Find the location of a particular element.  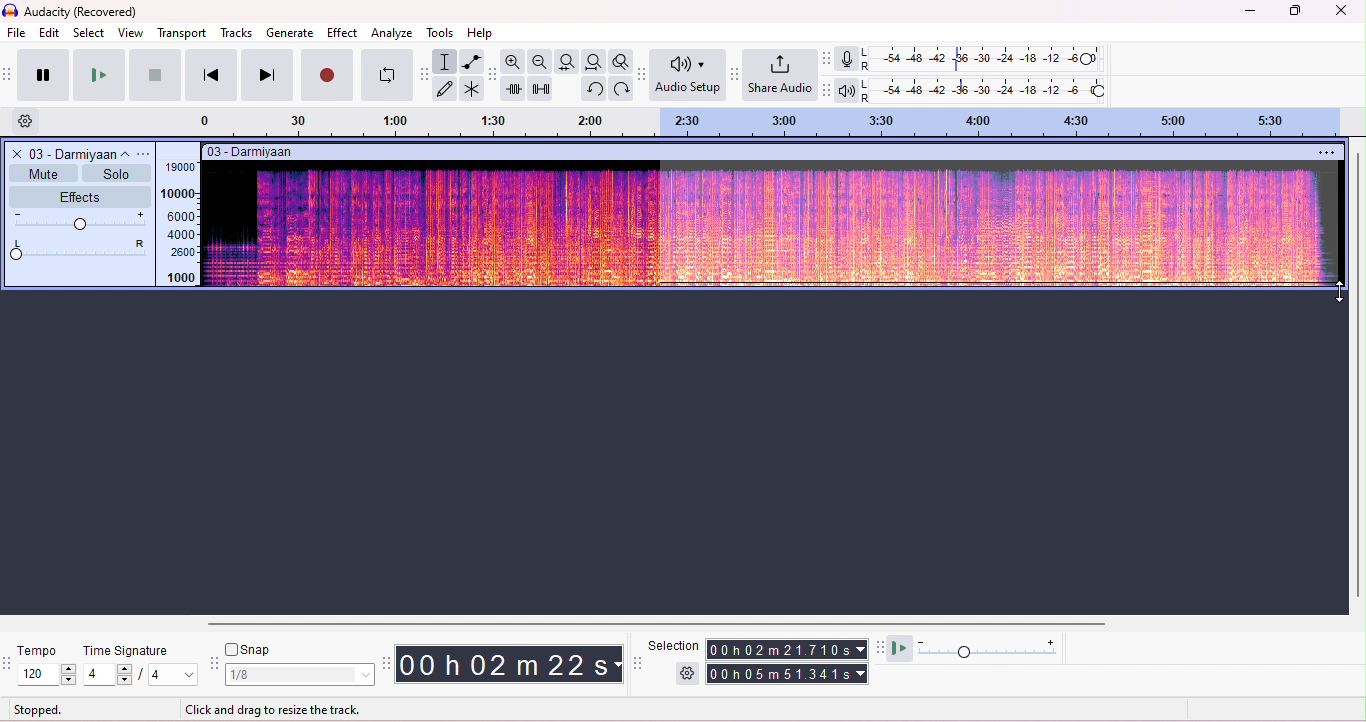

dragged is located at coordinates (997, 229).